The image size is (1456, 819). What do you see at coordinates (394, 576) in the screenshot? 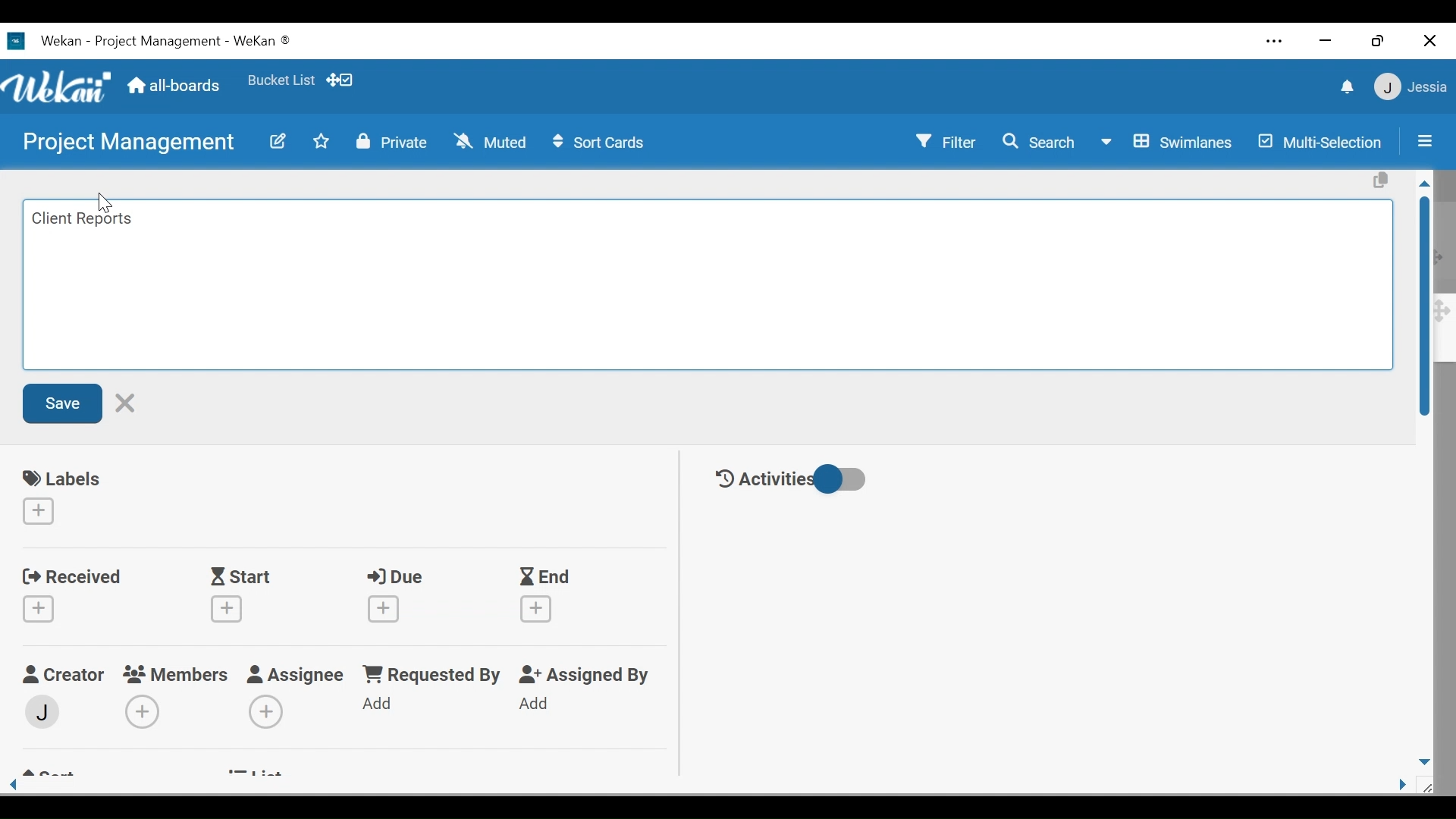
I see `Due Date` at bounding box center [394, 576].